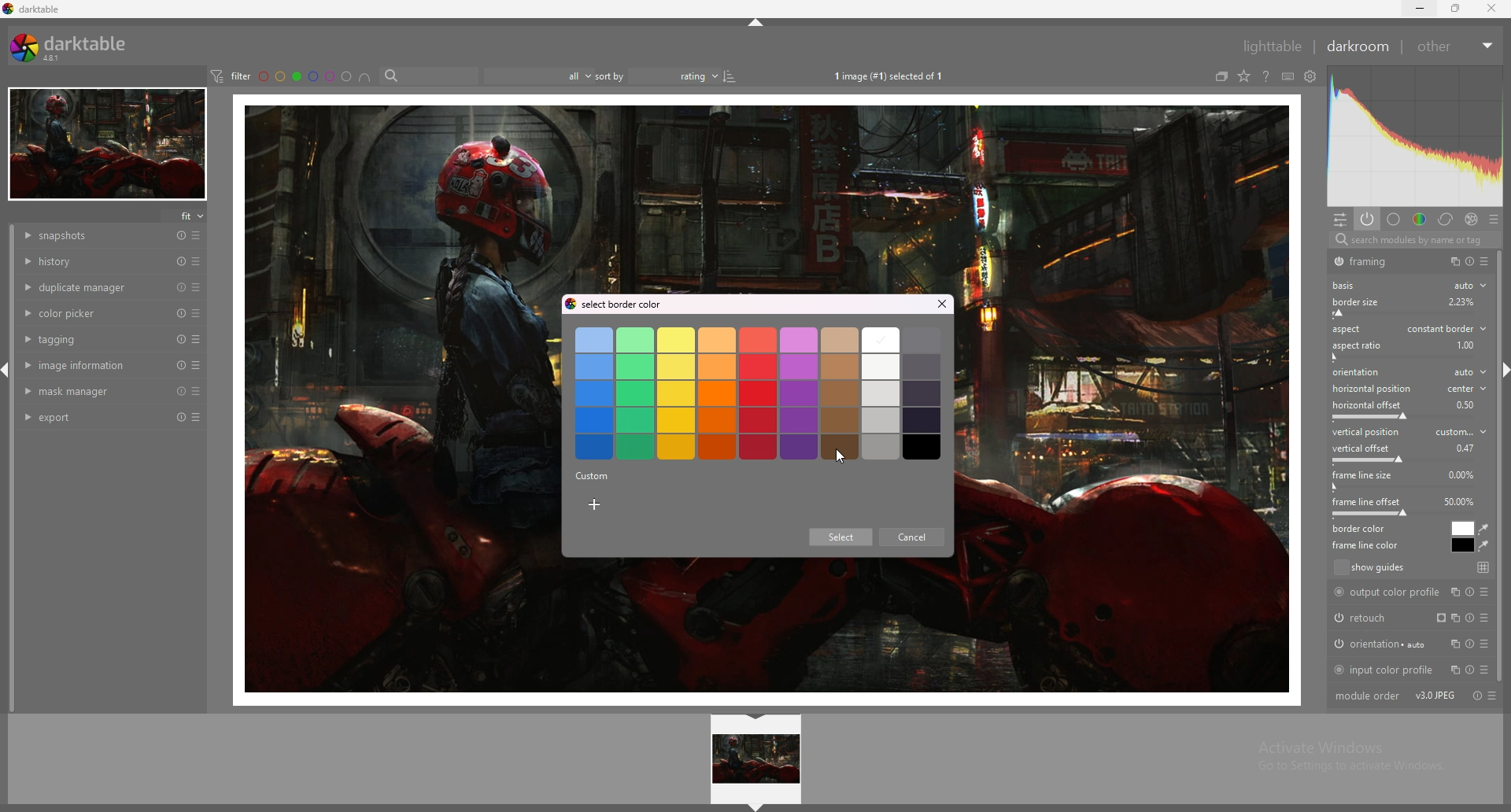 The image size is (1511, 812). Describe the element at coordinates (1486, 262) in the screenshot. I see `presets` at that location.